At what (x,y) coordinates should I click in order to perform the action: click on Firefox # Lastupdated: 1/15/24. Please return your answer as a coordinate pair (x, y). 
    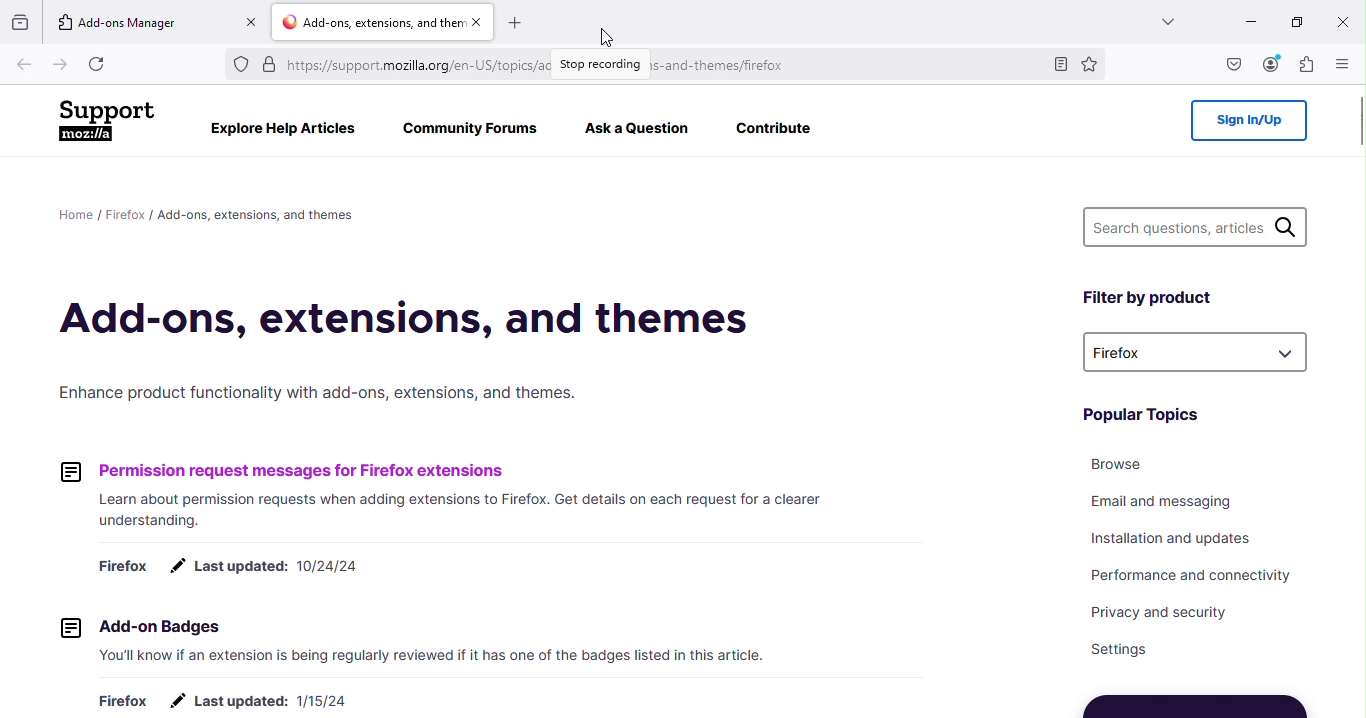
    Looking at the image, I should click on (213, 702).